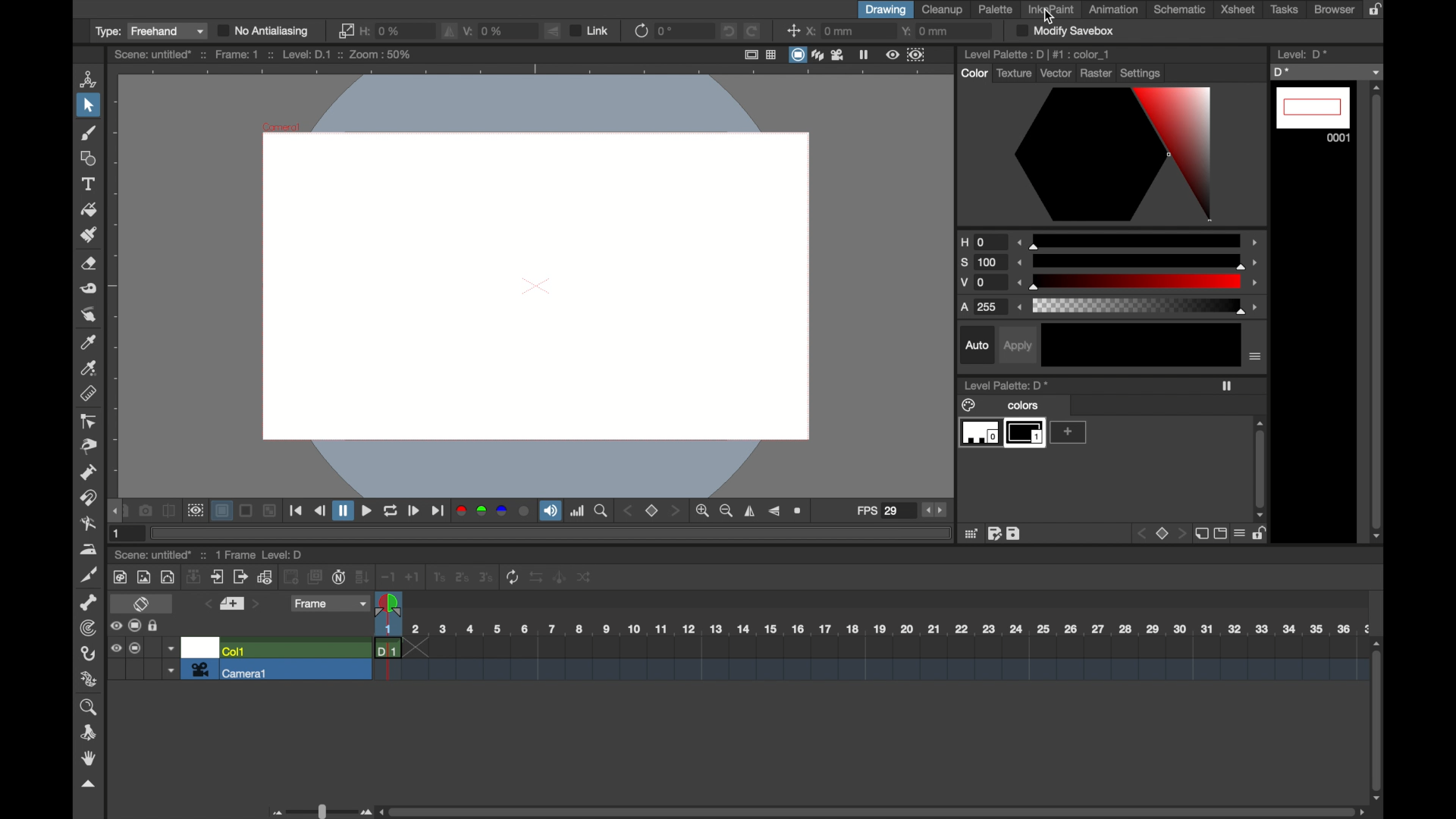 The width and height of the screenshot is (1456, 819). What do you see at coordinates (362, 577) in the screenshot?
I see `down` at bounding box center [362, 577].